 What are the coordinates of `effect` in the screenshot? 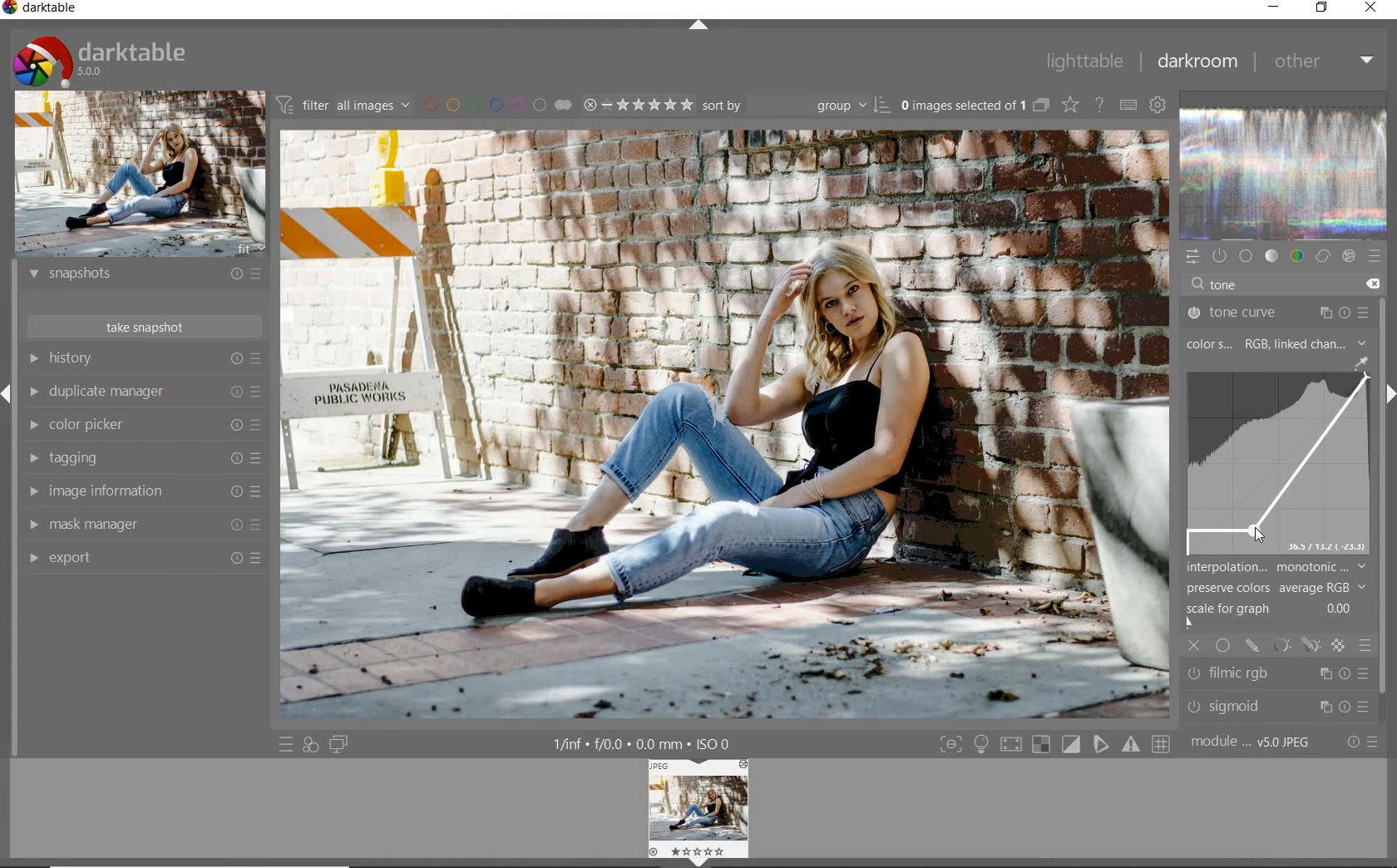 It's located at (1349, 259).